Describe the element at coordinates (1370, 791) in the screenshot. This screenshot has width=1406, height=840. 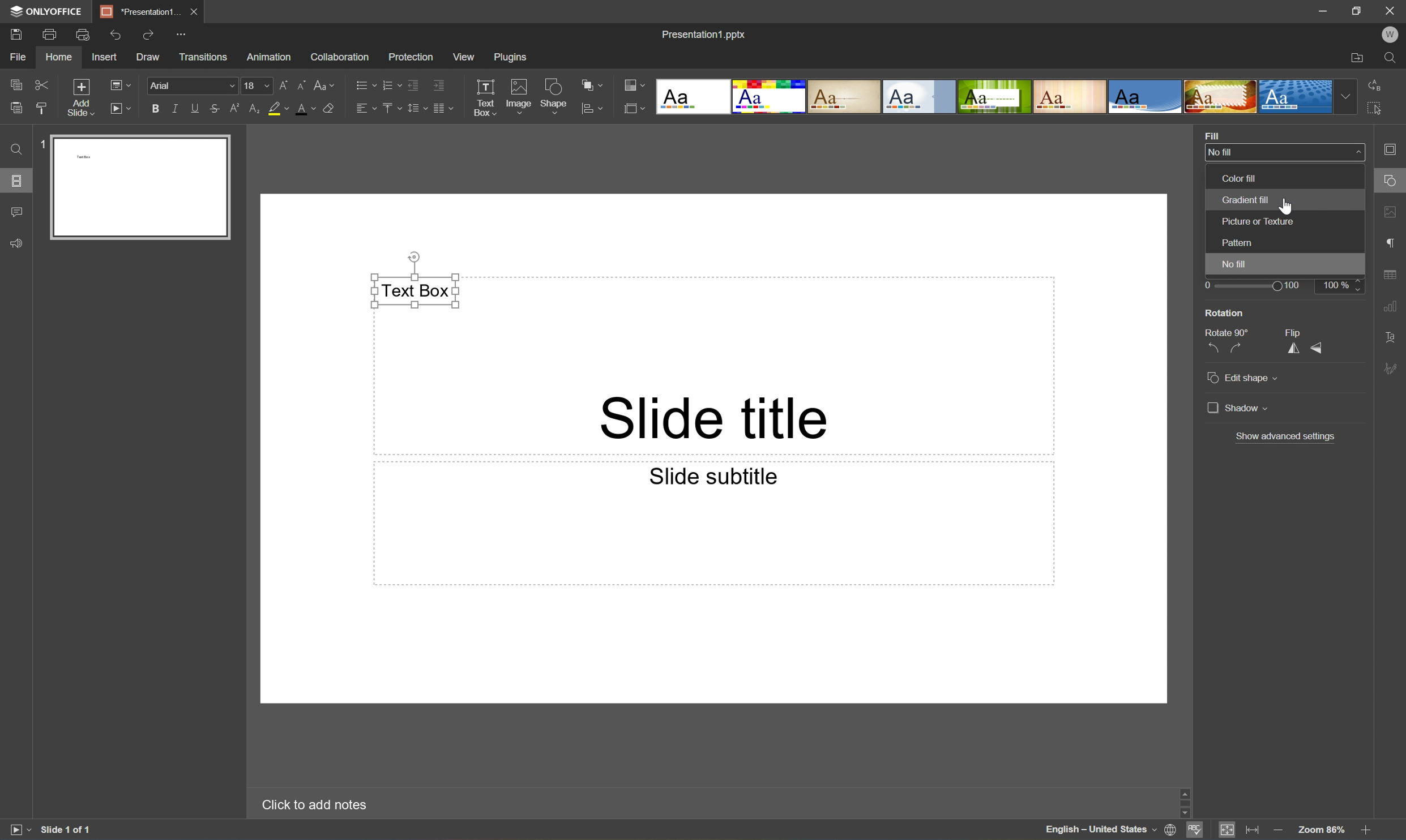
I see `Scroll Up` at that location.